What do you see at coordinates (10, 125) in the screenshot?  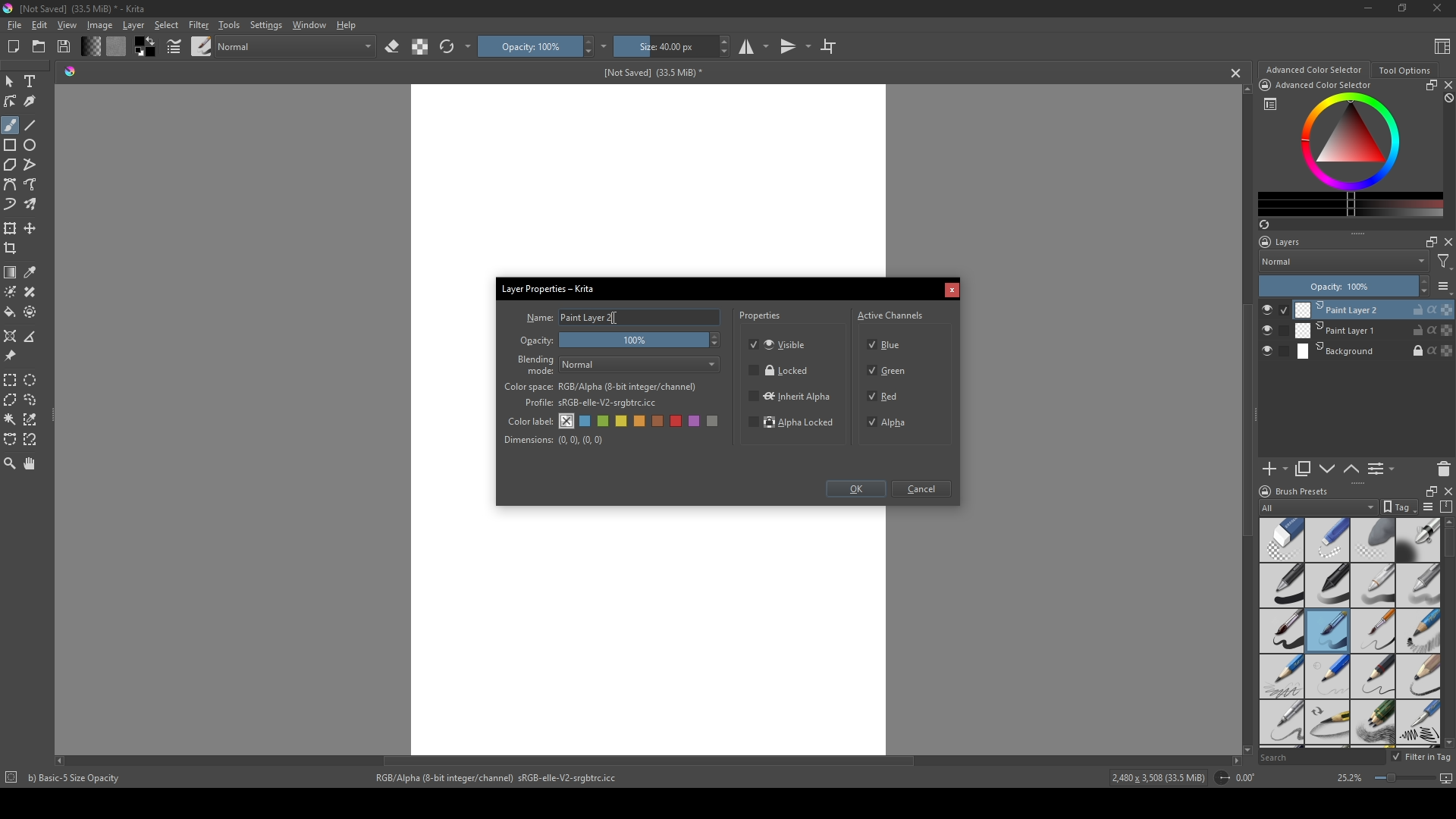 I see `brush` at bounding box center [10, 125].